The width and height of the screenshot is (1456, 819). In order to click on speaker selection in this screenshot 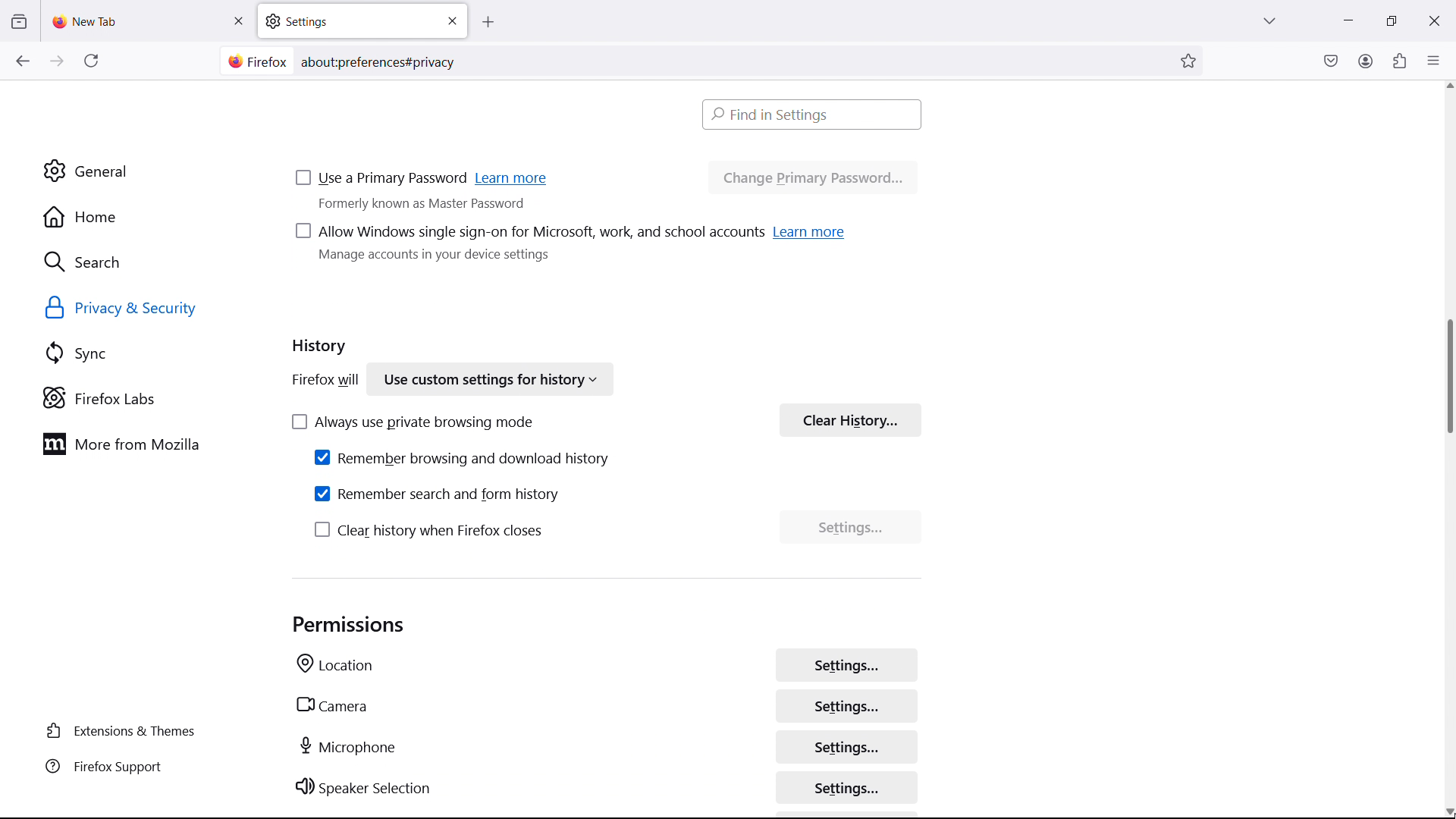, I will do `click(364, 786)`.